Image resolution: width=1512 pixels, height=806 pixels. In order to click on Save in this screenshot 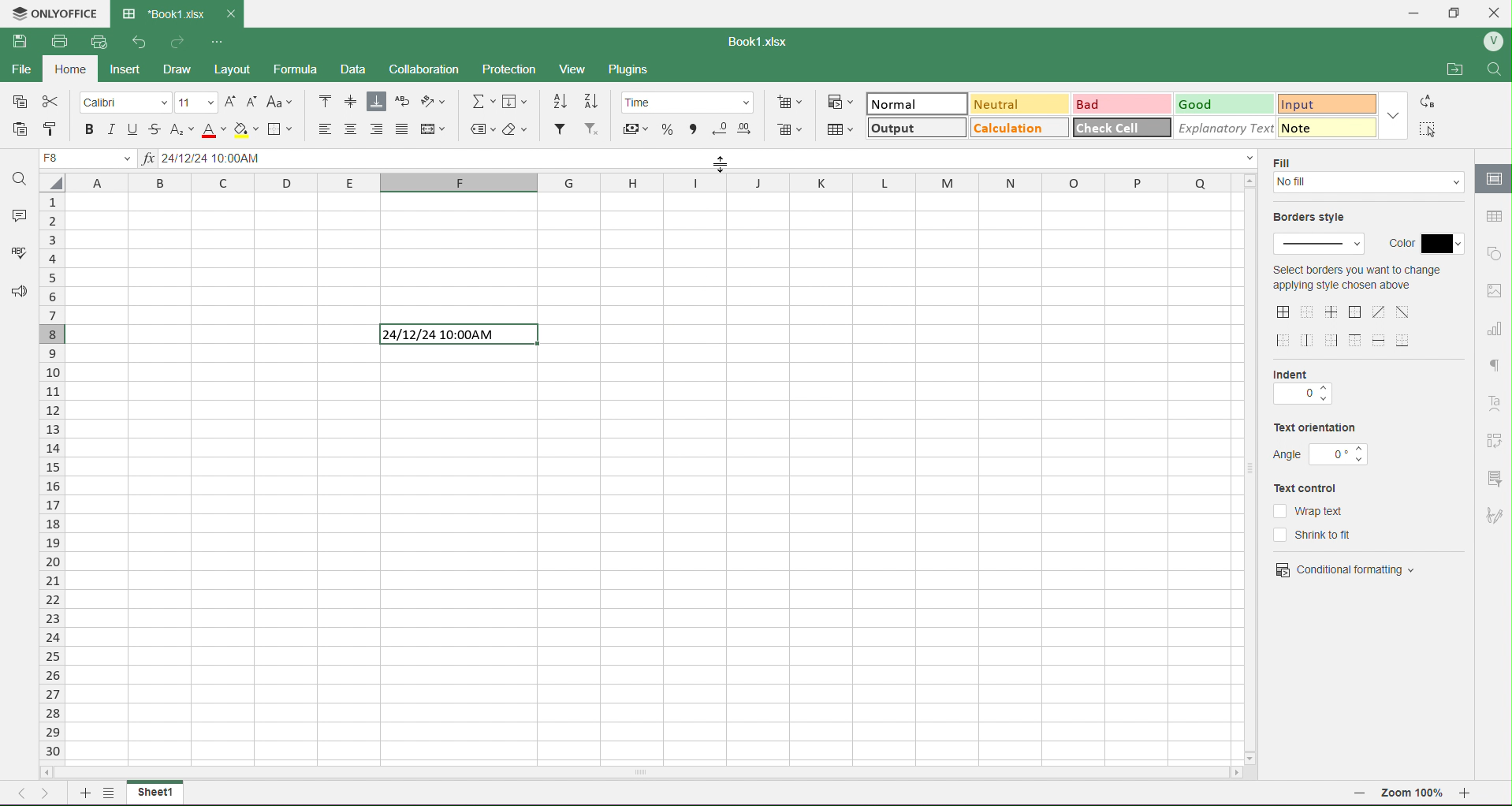, I will do `click(20, 42)`.